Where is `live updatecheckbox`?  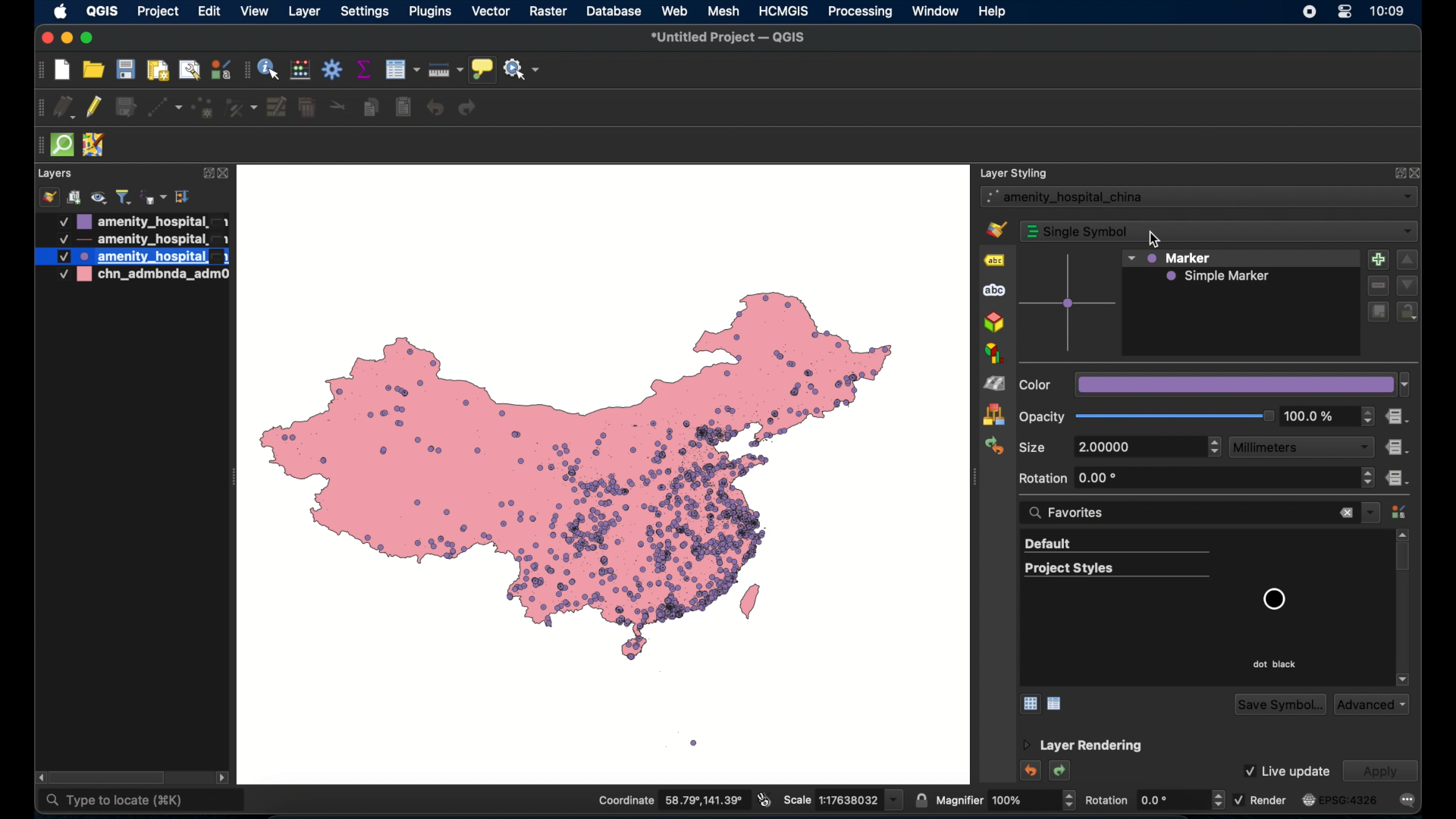
live updatecheckbox is located at coordinates (1285, 770).